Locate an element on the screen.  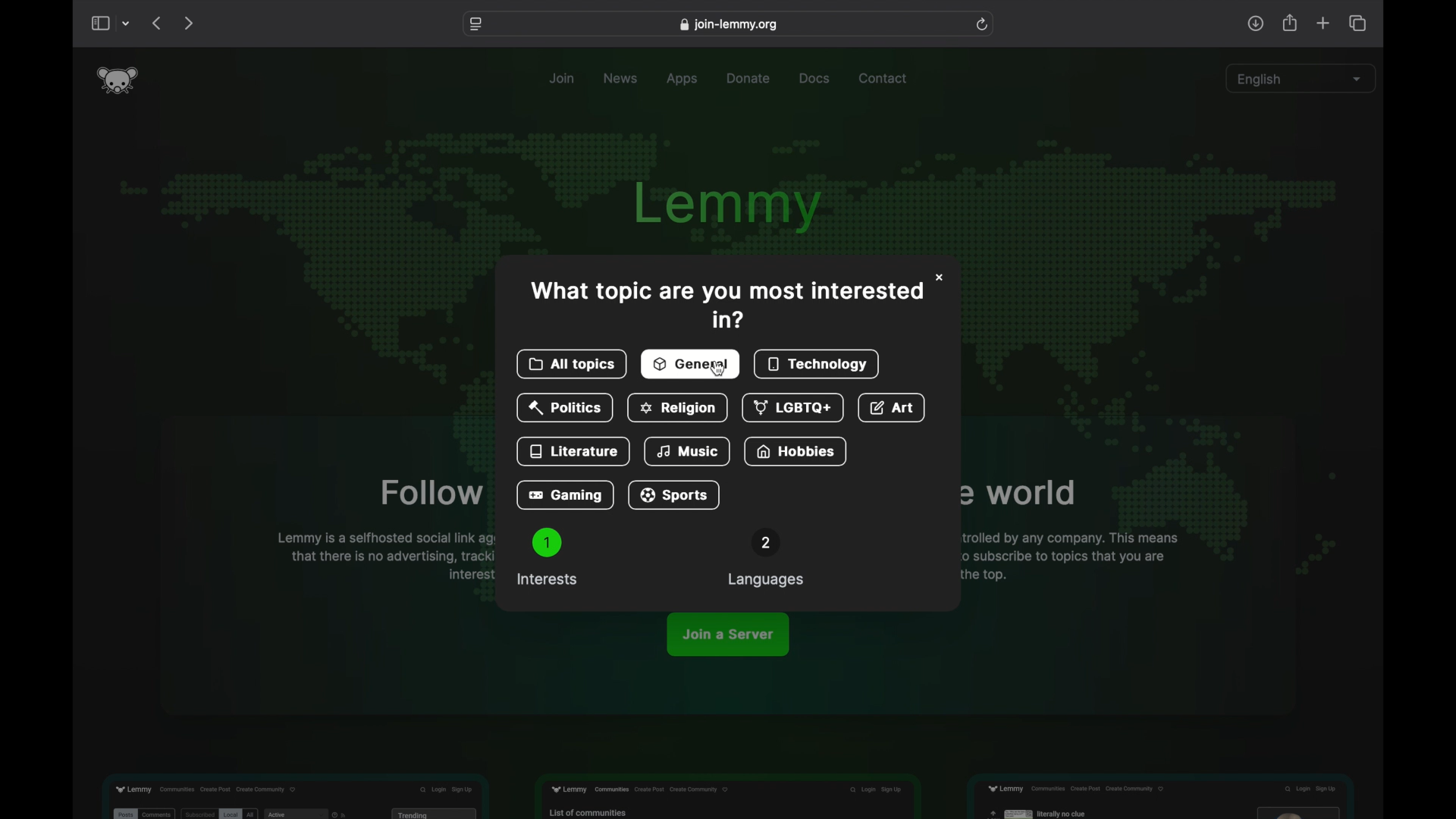
obscure text is located at coordinates (382, 557).